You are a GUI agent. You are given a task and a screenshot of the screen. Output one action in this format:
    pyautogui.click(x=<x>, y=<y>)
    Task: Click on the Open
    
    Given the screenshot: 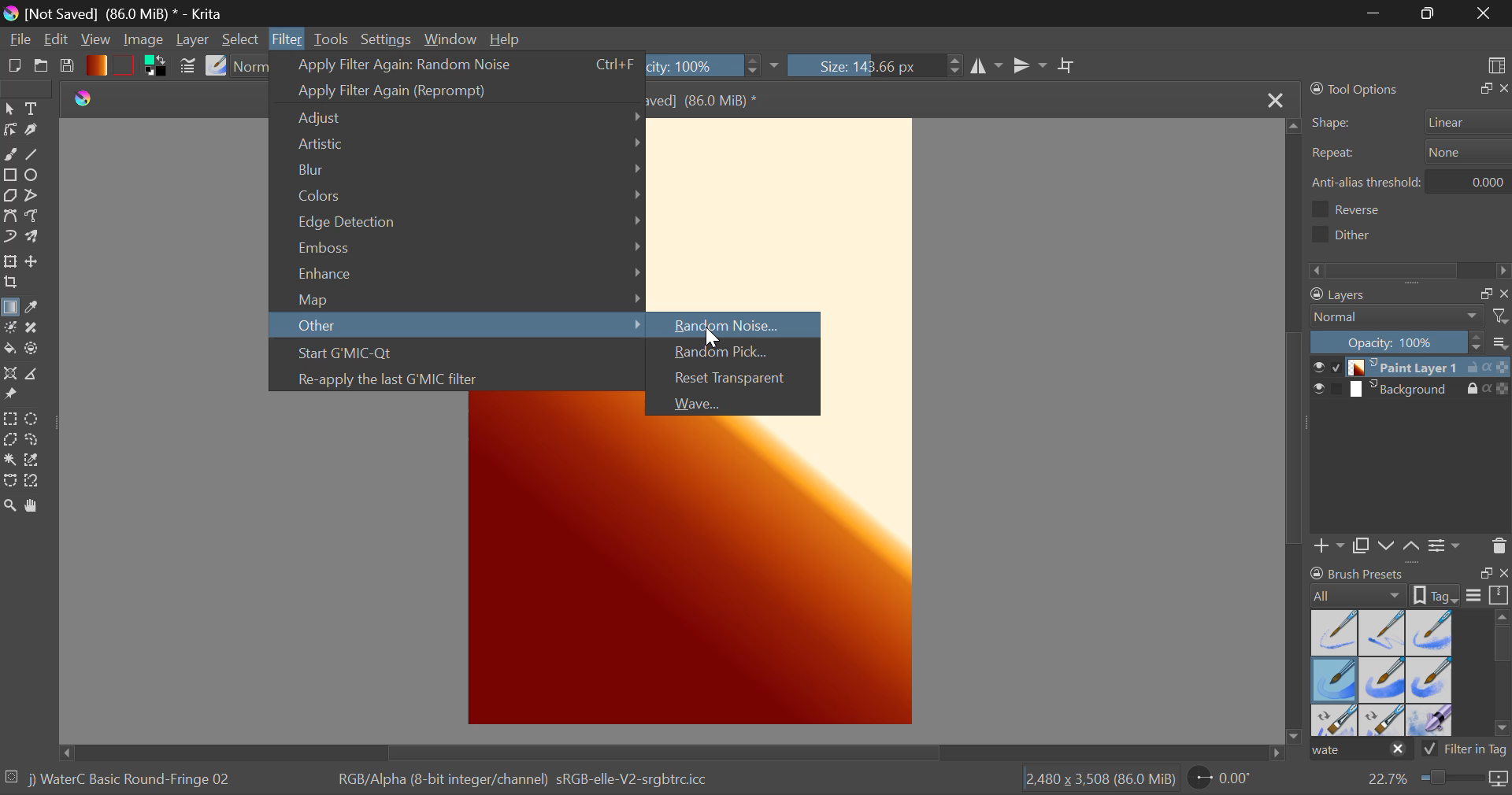 What is the action you would take?
    pyautogui.click(x=41, y=66)
    